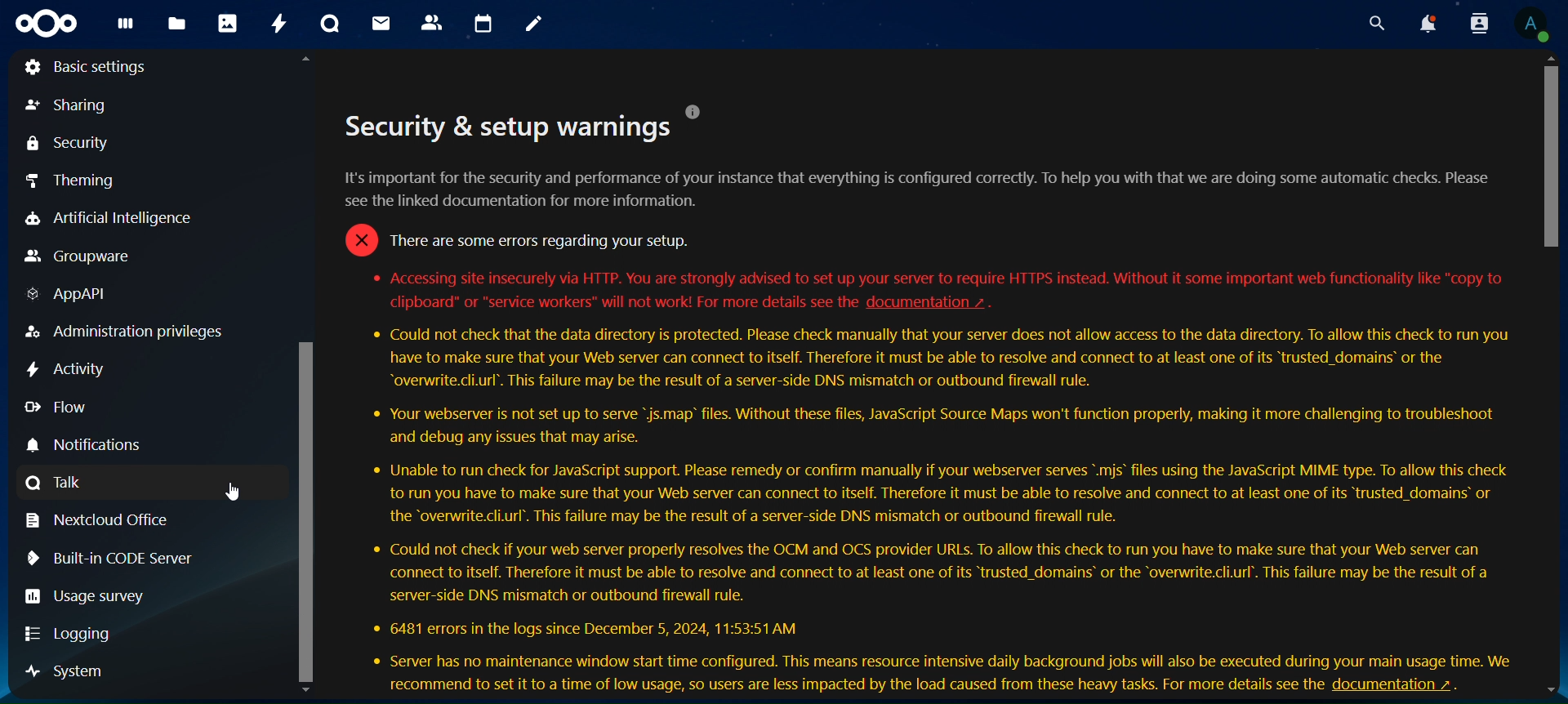 The width and height of the screenshot is (1568, 704). Describe the element at coordinates (307, 381) in the screenshot. I see `scroll bar` at that location.